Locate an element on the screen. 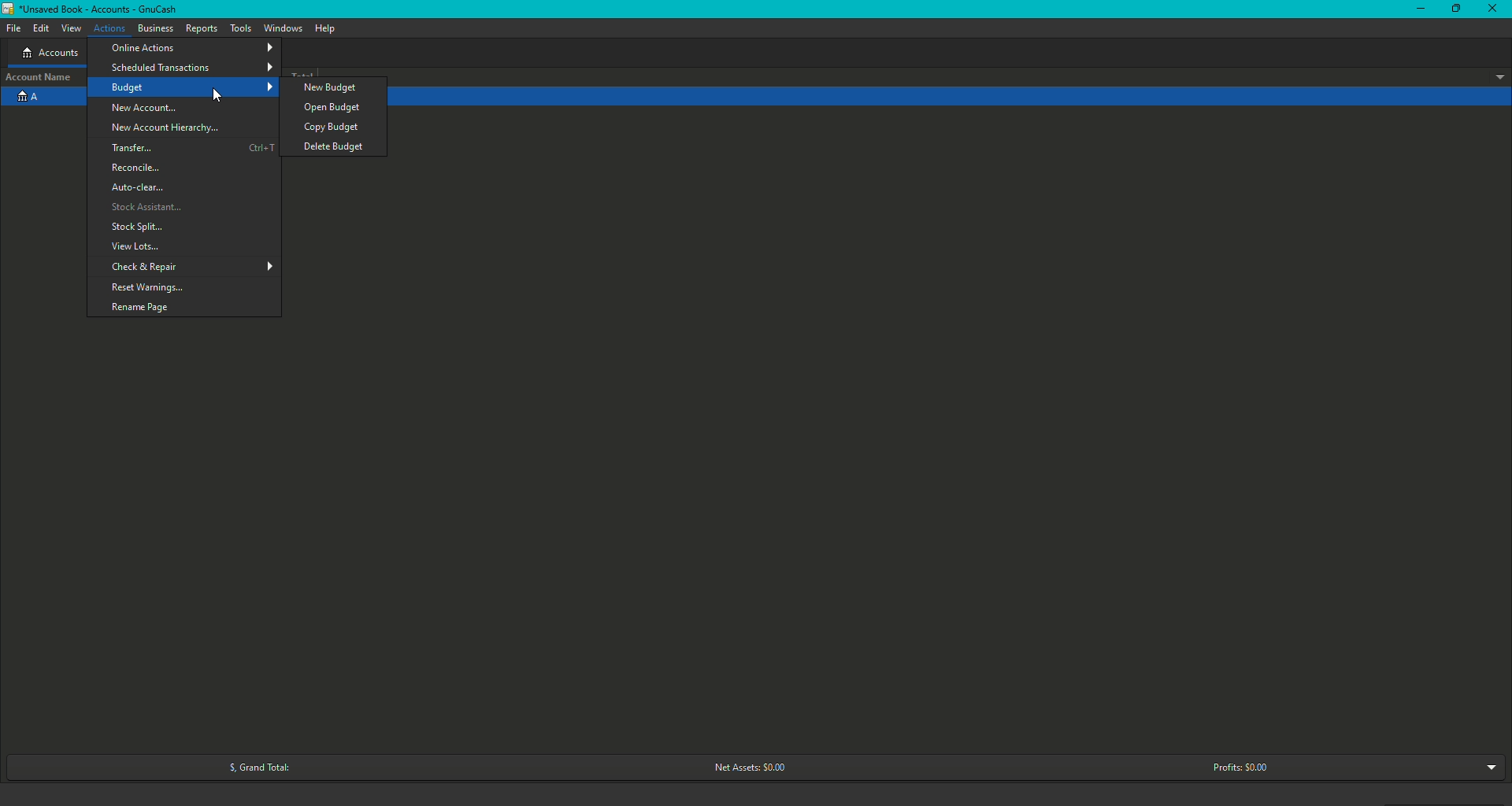 The width and height of the screenshot is (1512, 806). Restore is located at coordinates (1454, 9).